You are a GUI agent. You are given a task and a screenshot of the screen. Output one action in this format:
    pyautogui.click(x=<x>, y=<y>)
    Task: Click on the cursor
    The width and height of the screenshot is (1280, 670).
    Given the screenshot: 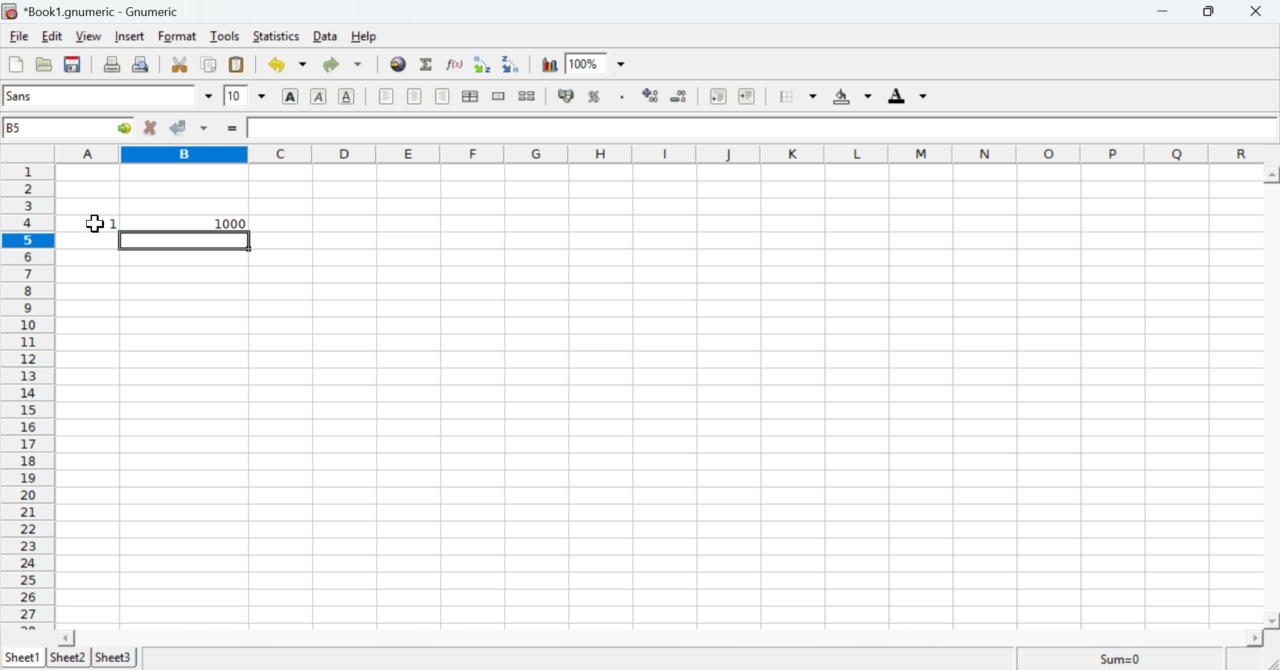 What is the action you would take?
    pyautogui.click(x=95, y=224)
    